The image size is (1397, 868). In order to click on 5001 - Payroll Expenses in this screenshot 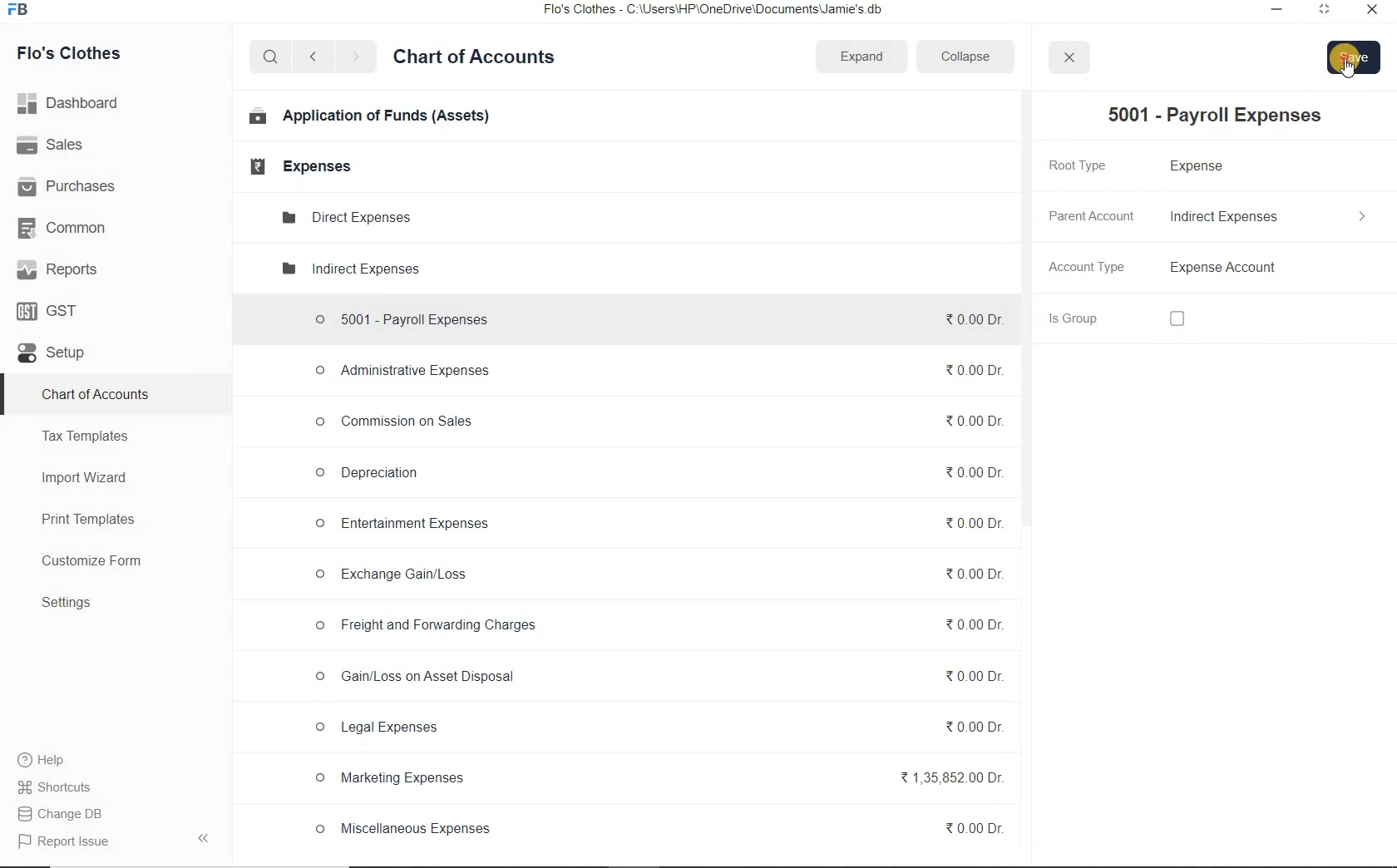, I will do `click(1208, 116)`.